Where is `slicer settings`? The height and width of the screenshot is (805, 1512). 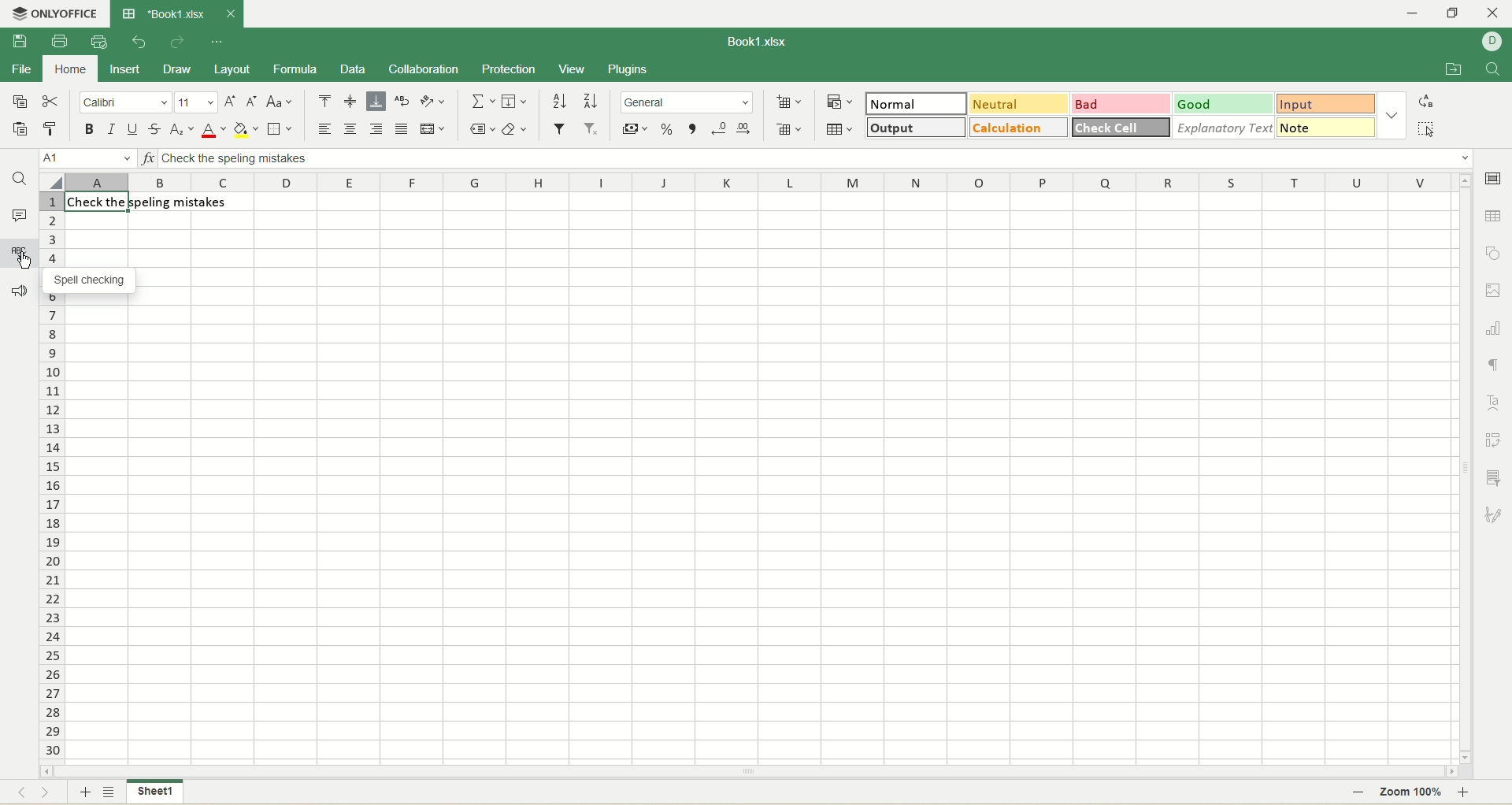
slicer settings is located at coordinates (1494, 477).